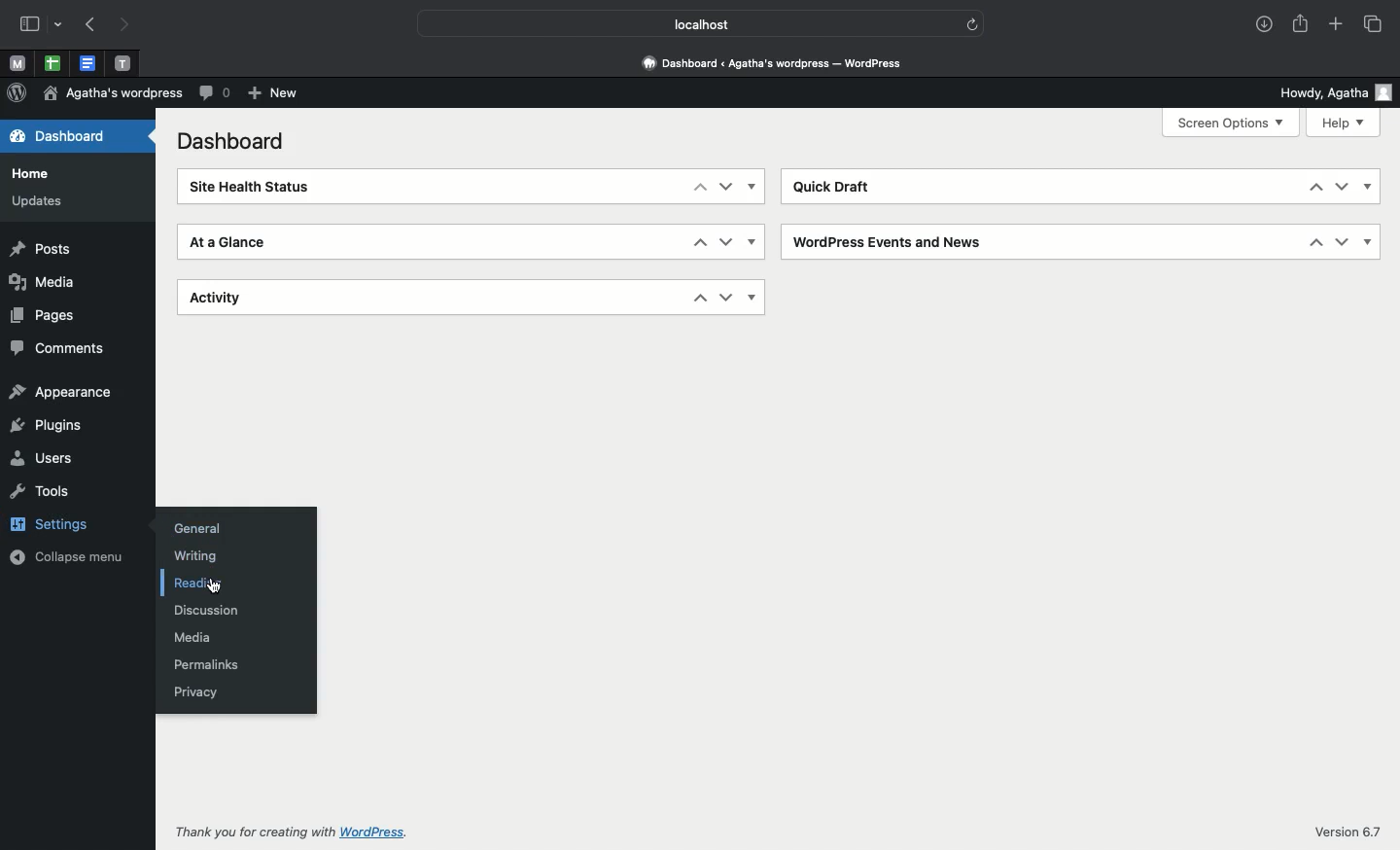 The height and width of the screenshot is (850, 1400). What do you see at coordinates (727, 244) in the screenshot?
I see `Down` at bounding box center [727, 244].